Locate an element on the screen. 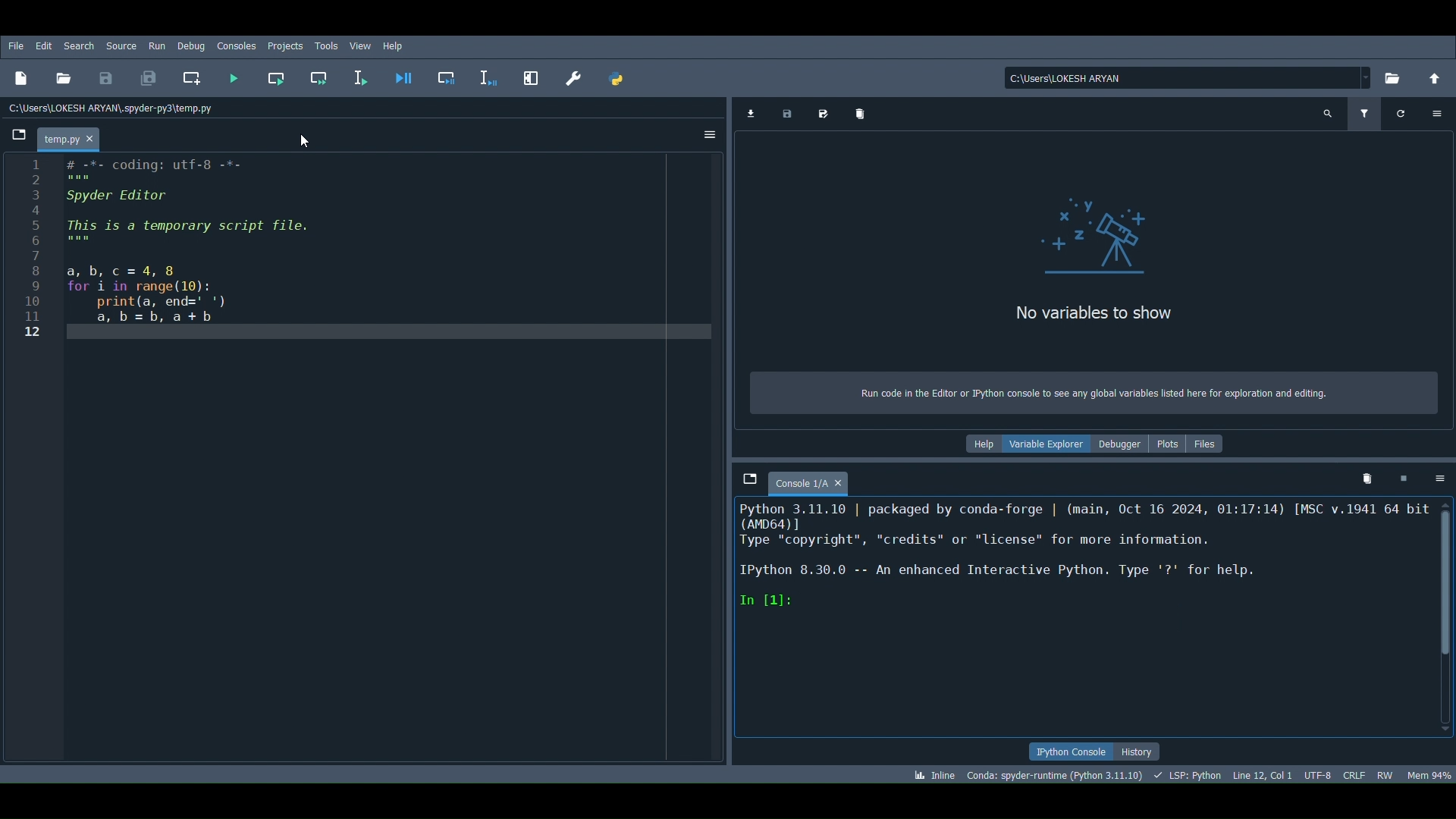  New file (Ctrl + N) is located at coordinates (24, 76).